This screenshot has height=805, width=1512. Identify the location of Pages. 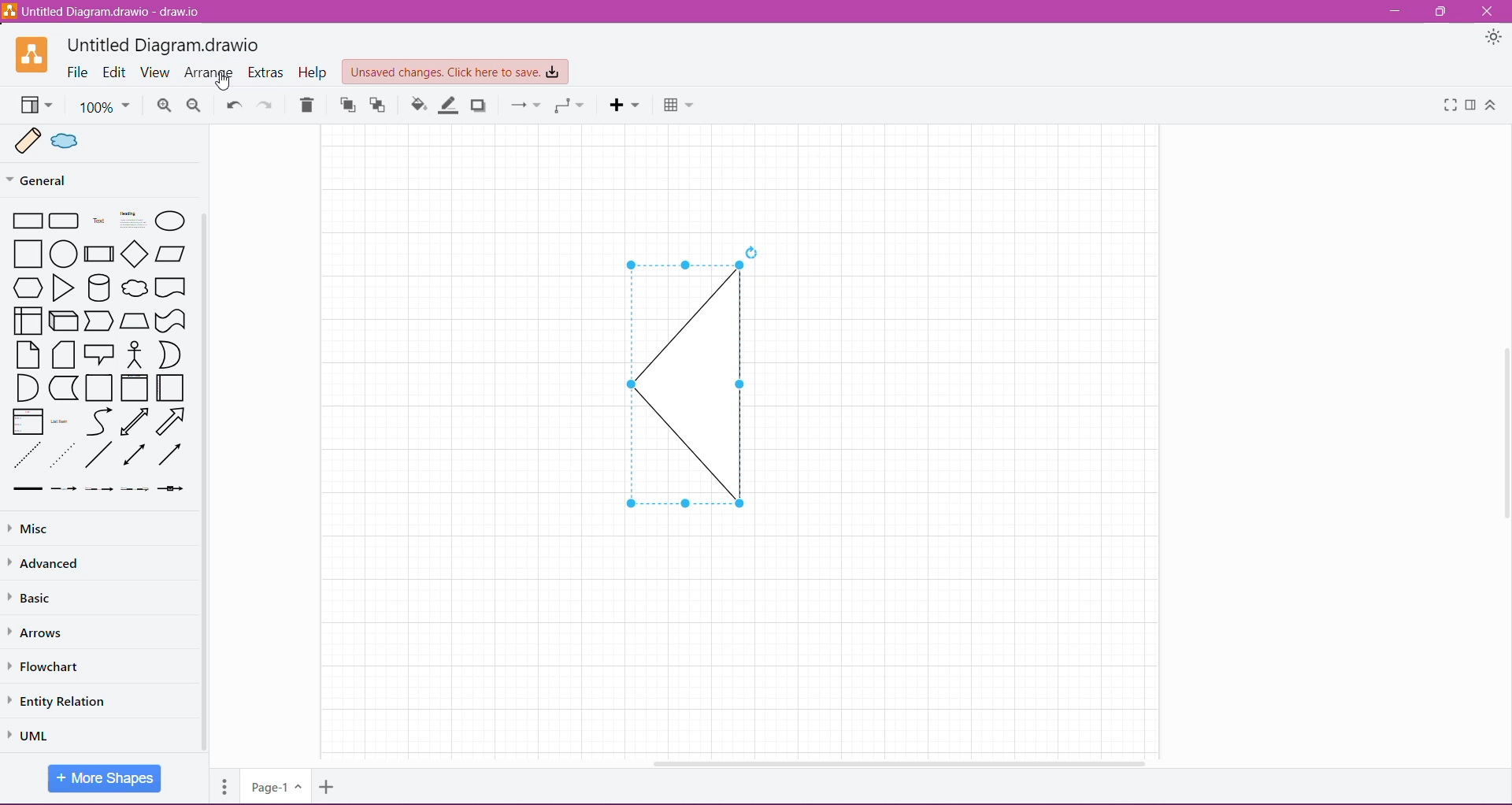
(223, 788).